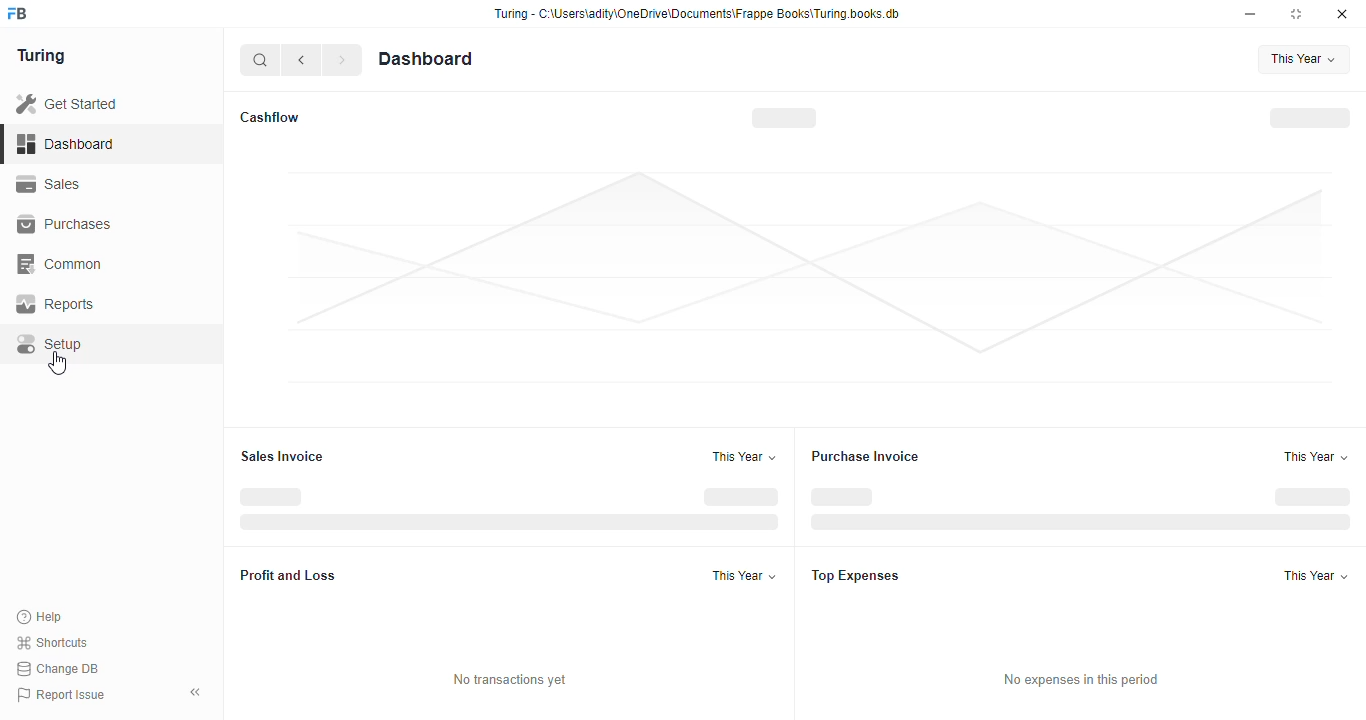  I want to click on This Year , so click(744, 455).